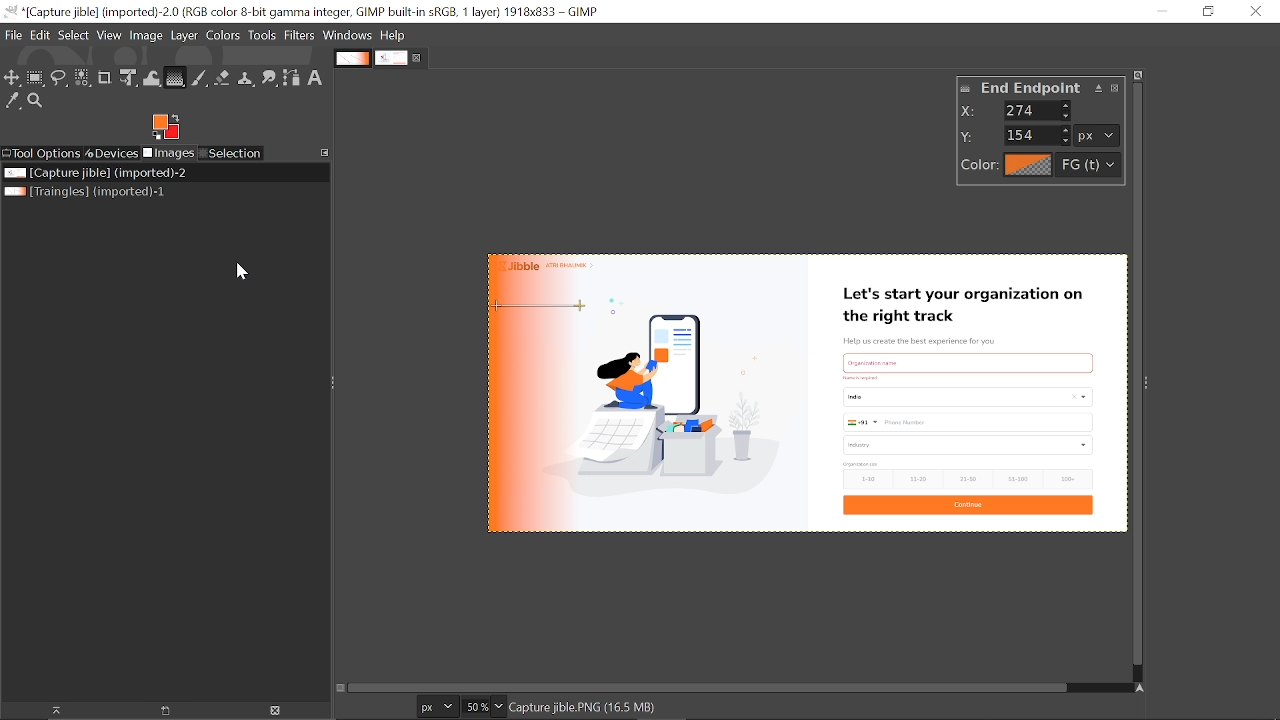 The width and height of the screenshot is (1280, 720). Describe the element at coordinates (112, 153) in the screenshot. I see `Devices` at that location.